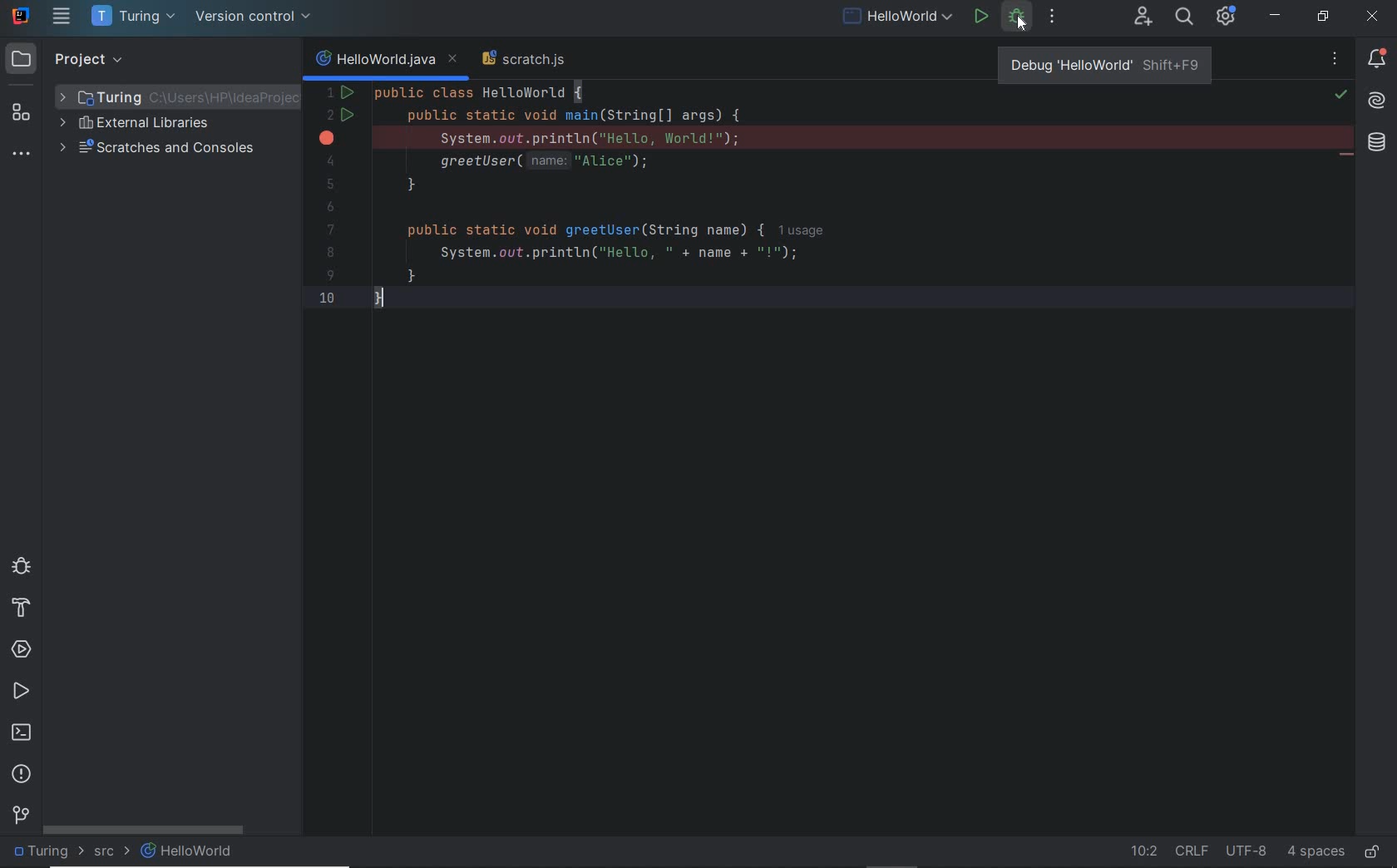 Image resolution: width=1397 pixels, height=868 pixels. Describe the element at coordinates (106, 852) in the screenshot. I see `src` at that location.